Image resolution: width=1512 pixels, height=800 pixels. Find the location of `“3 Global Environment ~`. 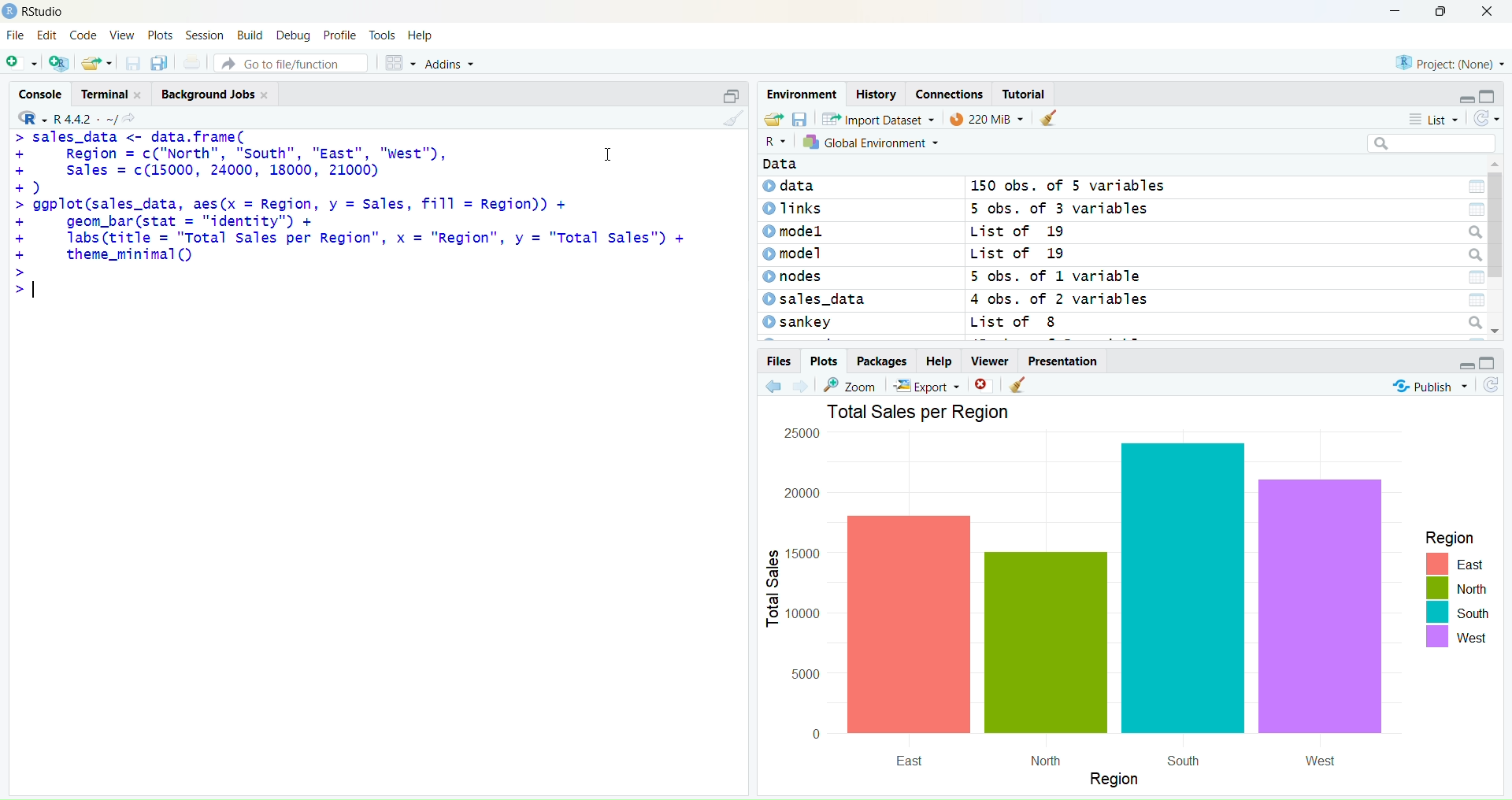

“3 Global Environment ~ is located at coordinates (871, 143).